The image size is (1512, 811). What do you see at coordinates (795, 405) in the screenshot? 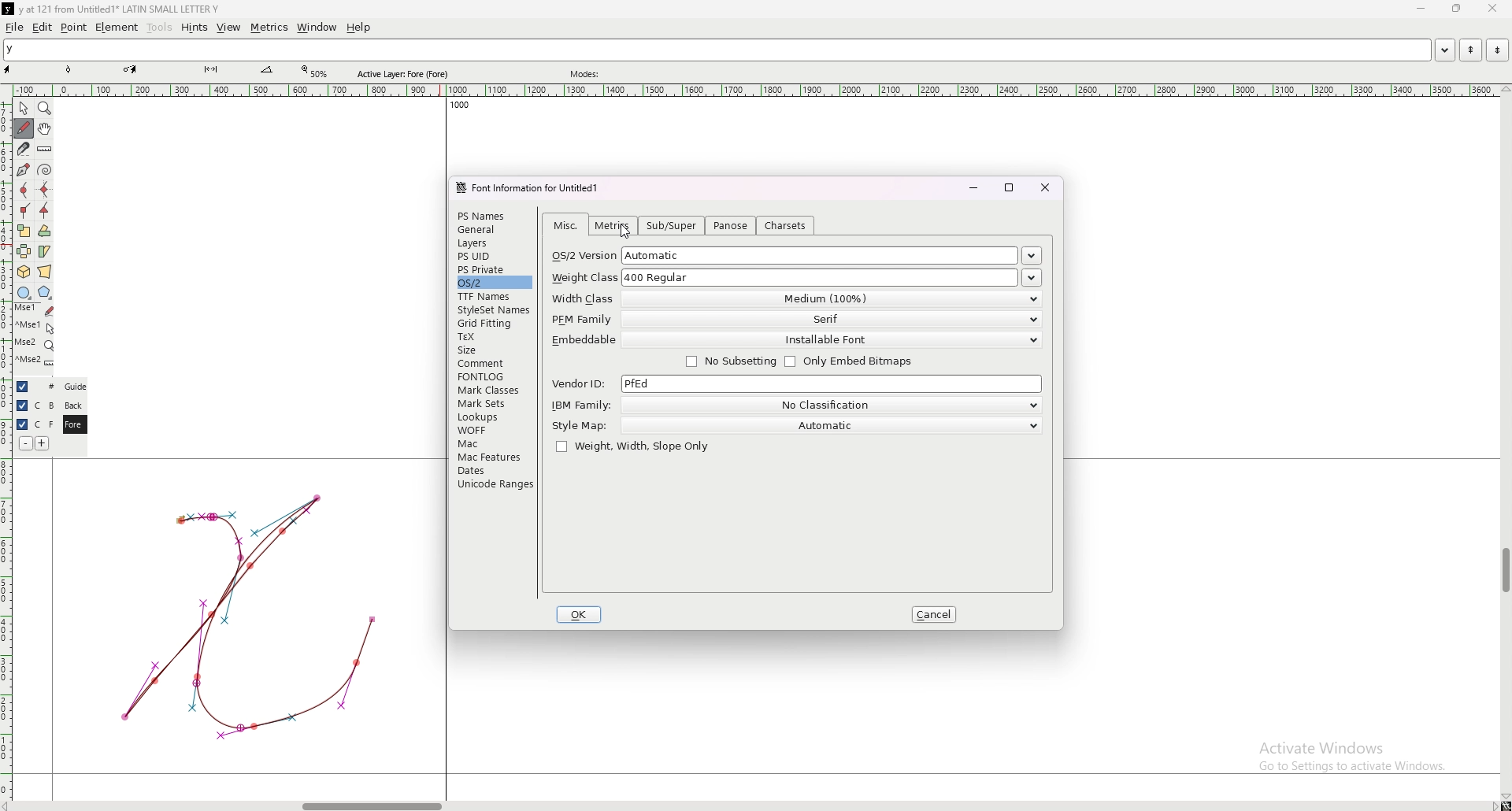
I see `ibm family no classification` at bounding box center [795, 405].